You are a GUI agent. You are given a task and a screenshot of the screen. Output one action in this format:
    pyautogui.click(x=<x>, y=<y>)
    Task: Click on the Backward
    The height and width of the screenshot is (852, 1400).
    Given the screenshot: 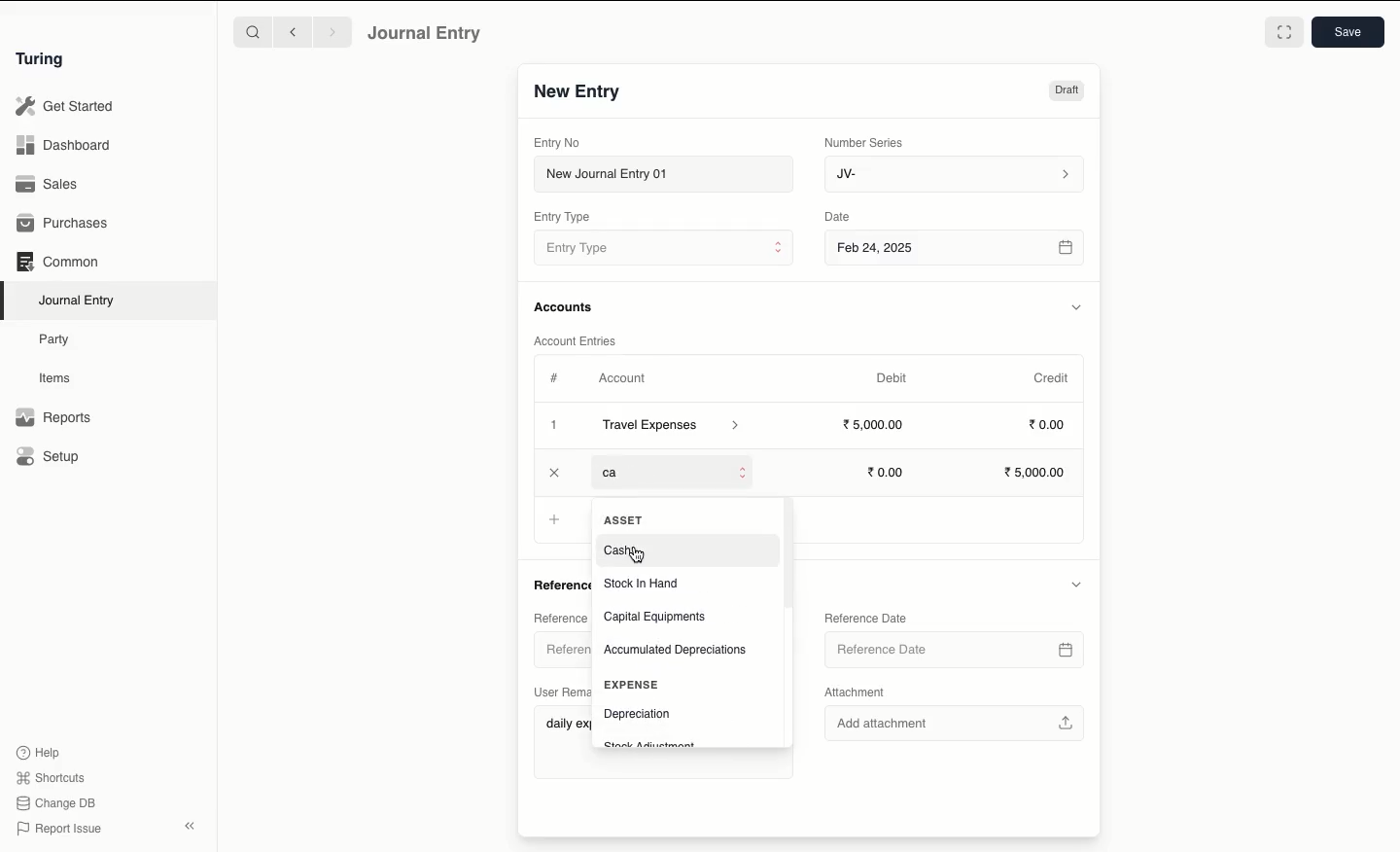 What is the action you would take?
    pyautogui.click(x=293, y=31)
    